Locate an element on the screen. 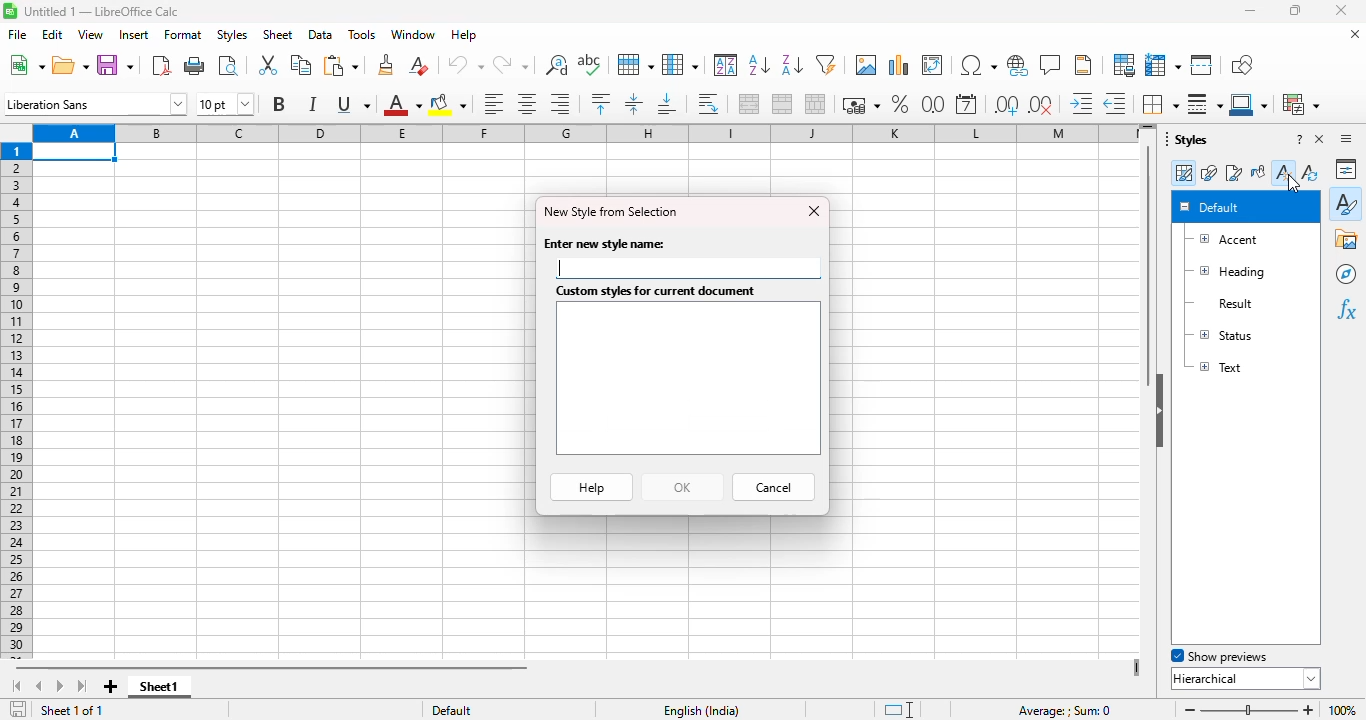  view is located at coordinates (90, 35).